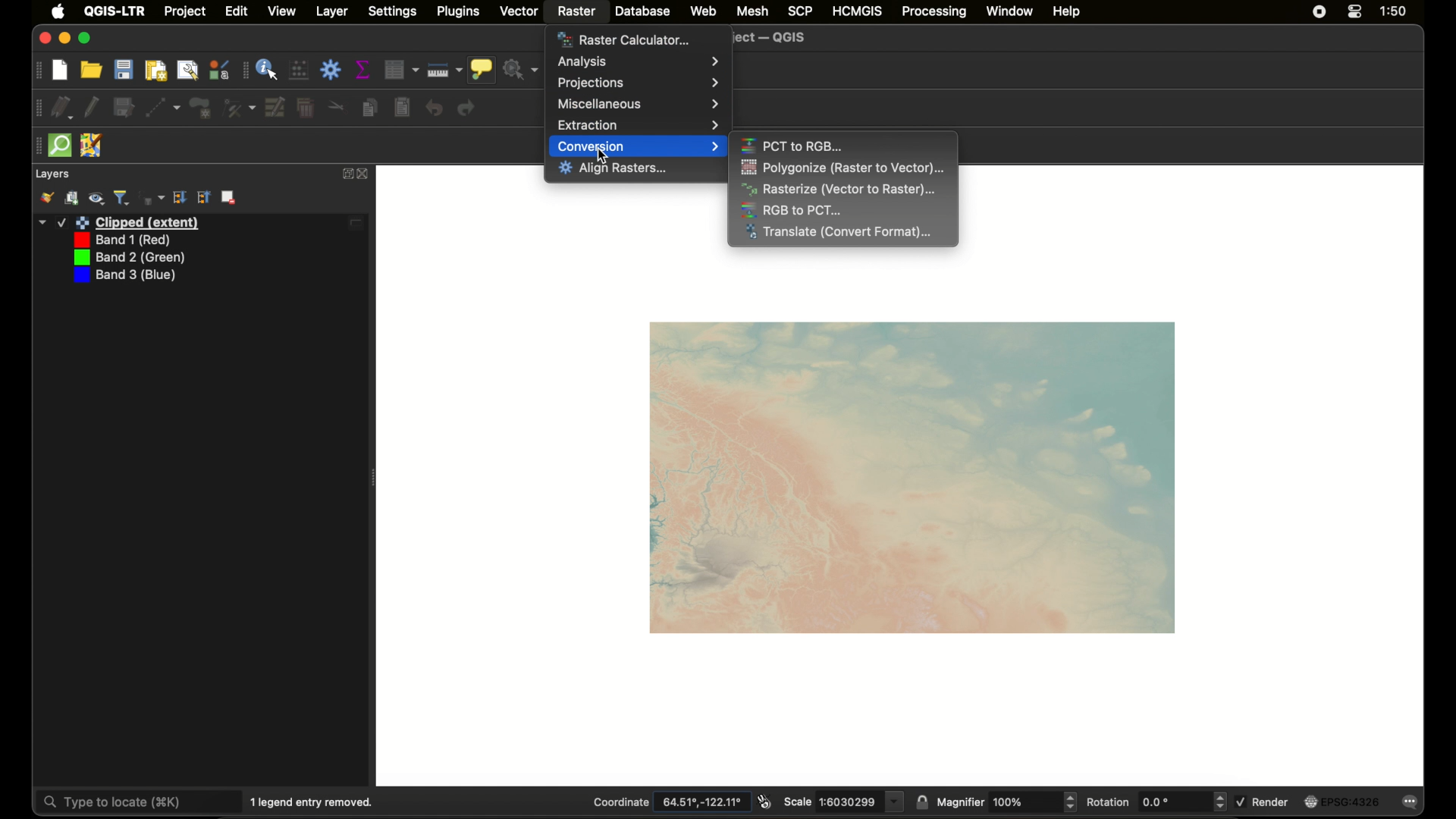 Image resolution: width=1456 pixels, height=819 pixels. Describe the element at coordinates (122, 198) in the screenshot. I see `filter legend` at that location.